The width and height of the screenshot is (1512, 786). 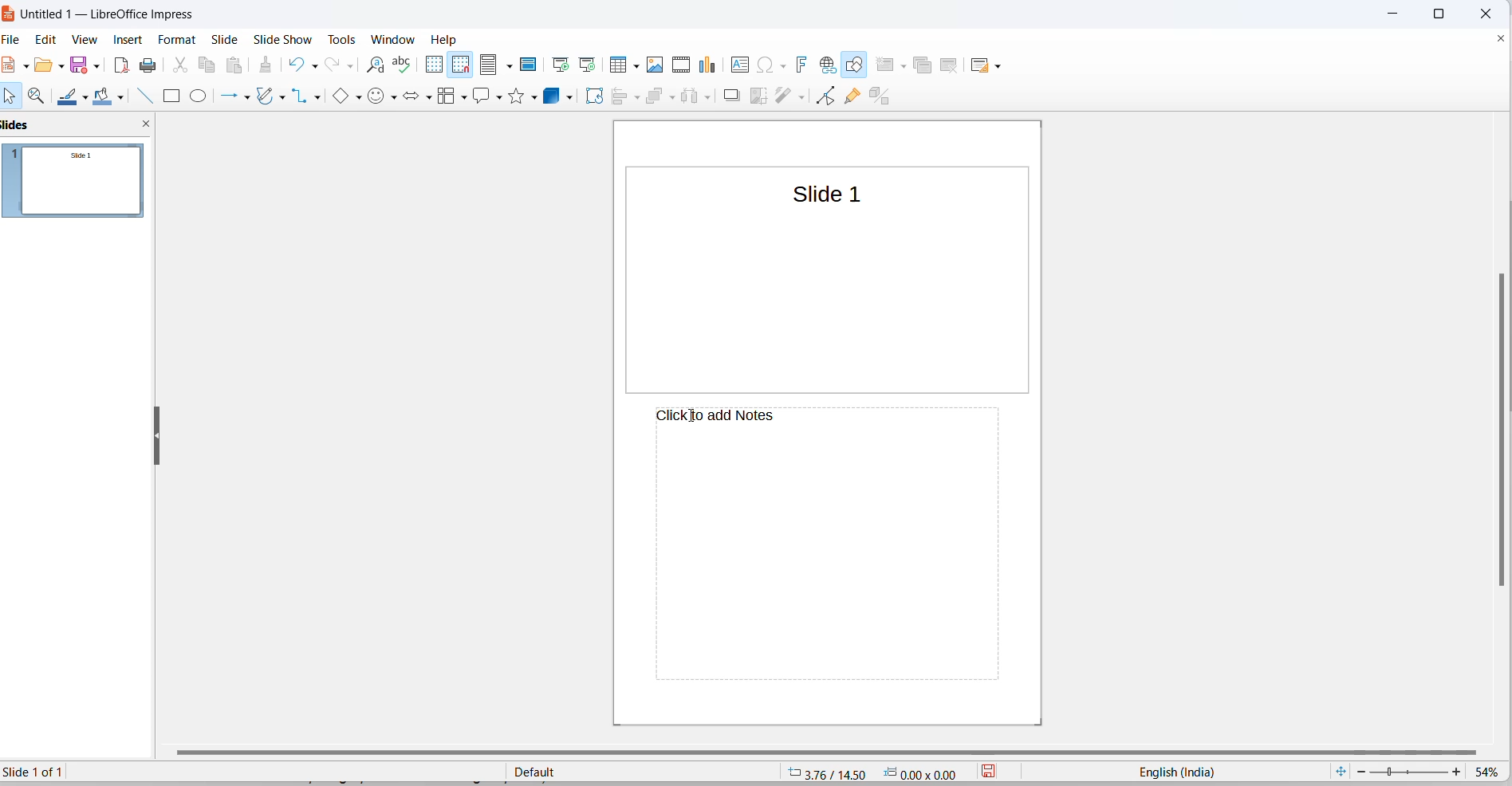 I want to click on notes text area, so click(x=818, y=566).